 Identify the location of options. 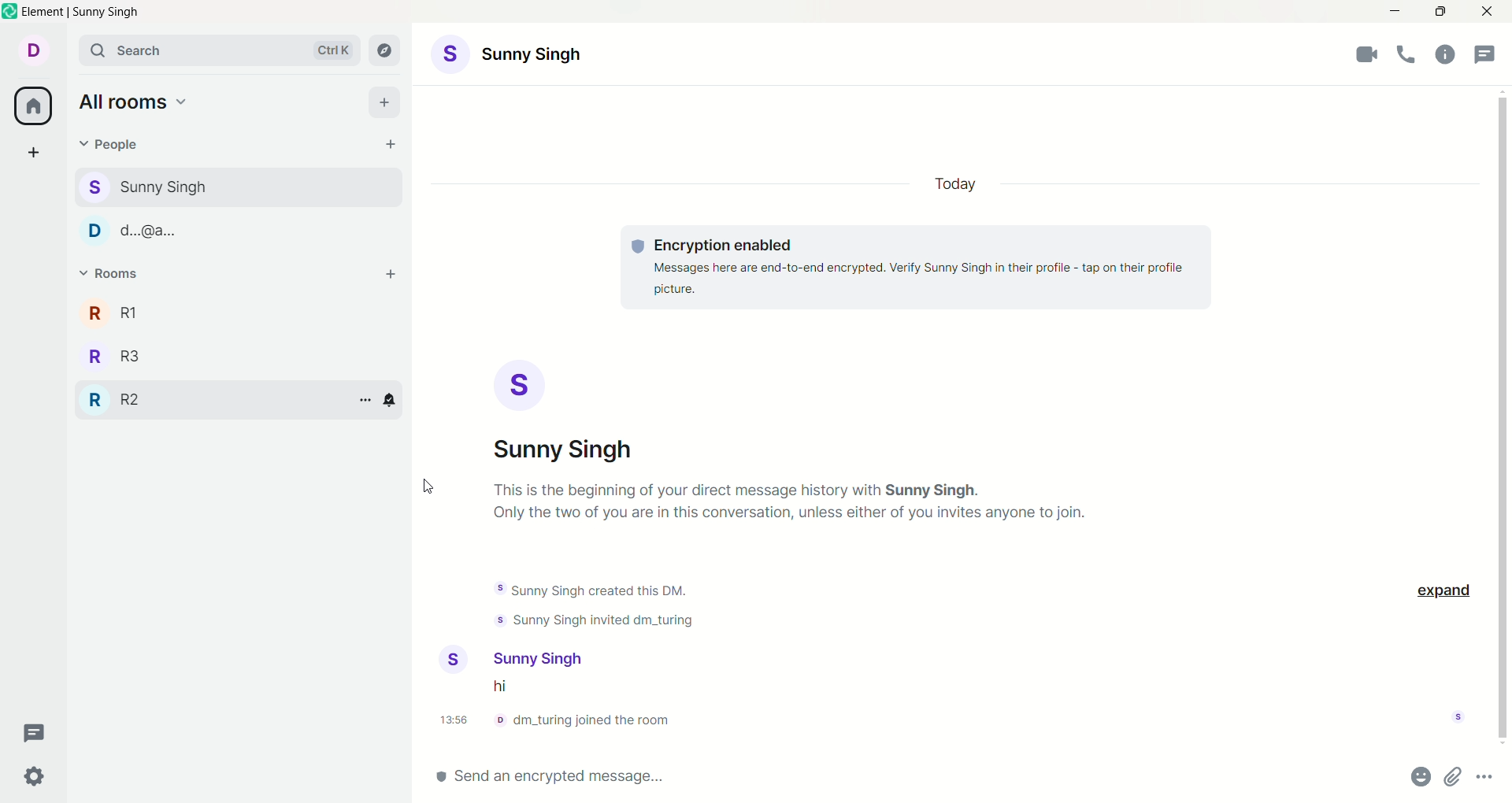
(361, 398).